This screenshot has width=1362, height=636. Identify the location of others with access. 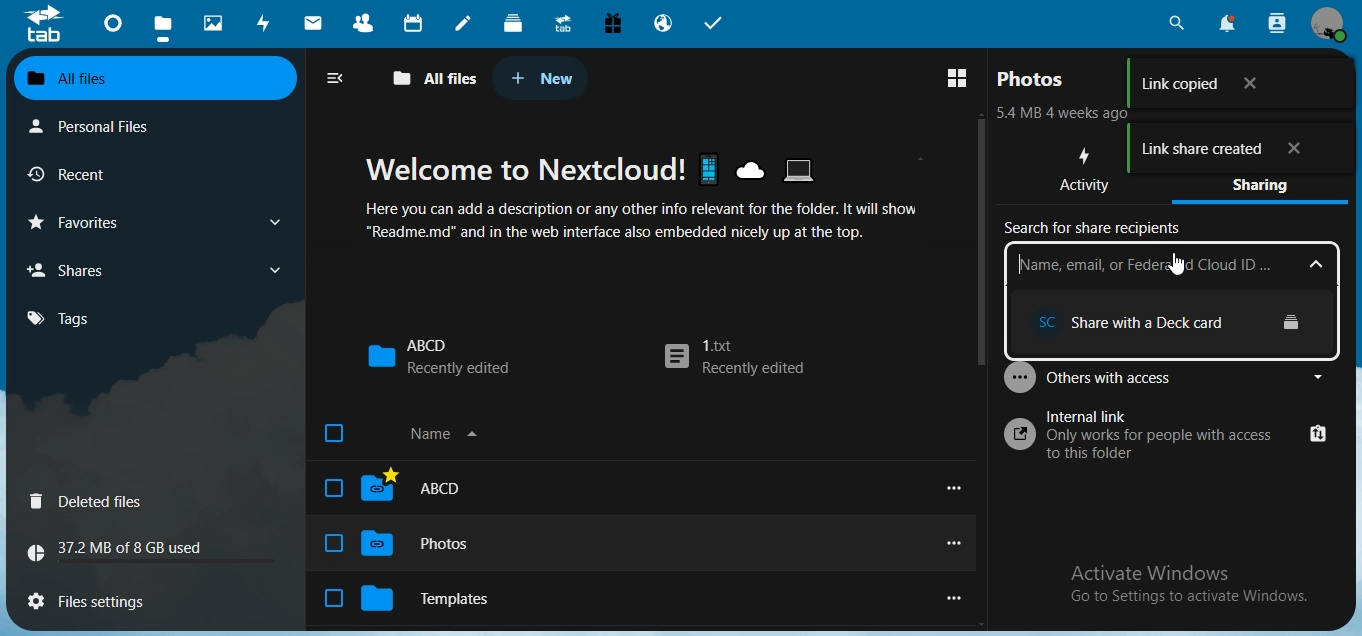
(1167, 375).